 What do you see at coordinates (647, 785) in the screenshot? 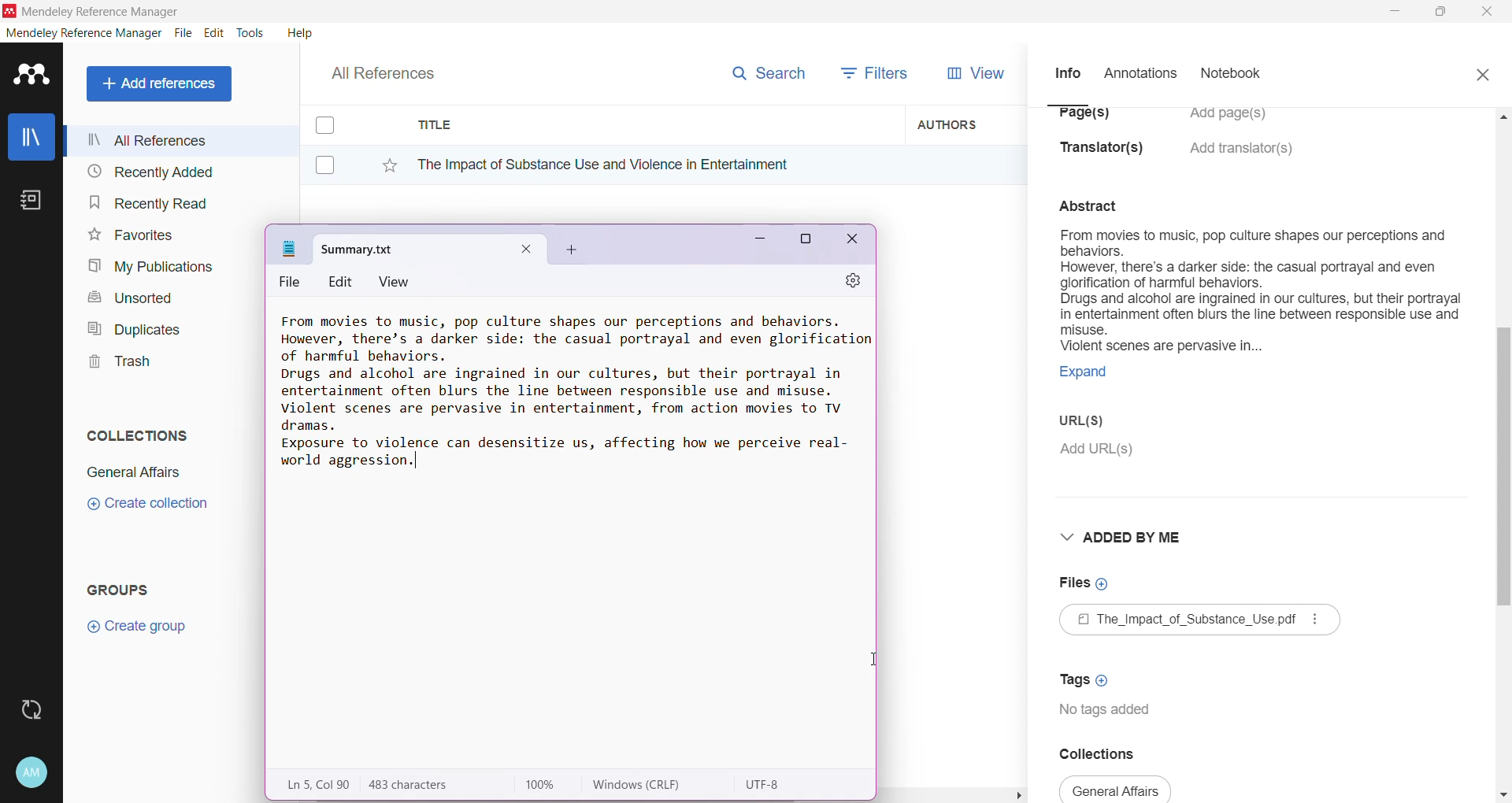
I see `Windows (Carriage Return, Line Feed)` at bounding box center [647, 785].